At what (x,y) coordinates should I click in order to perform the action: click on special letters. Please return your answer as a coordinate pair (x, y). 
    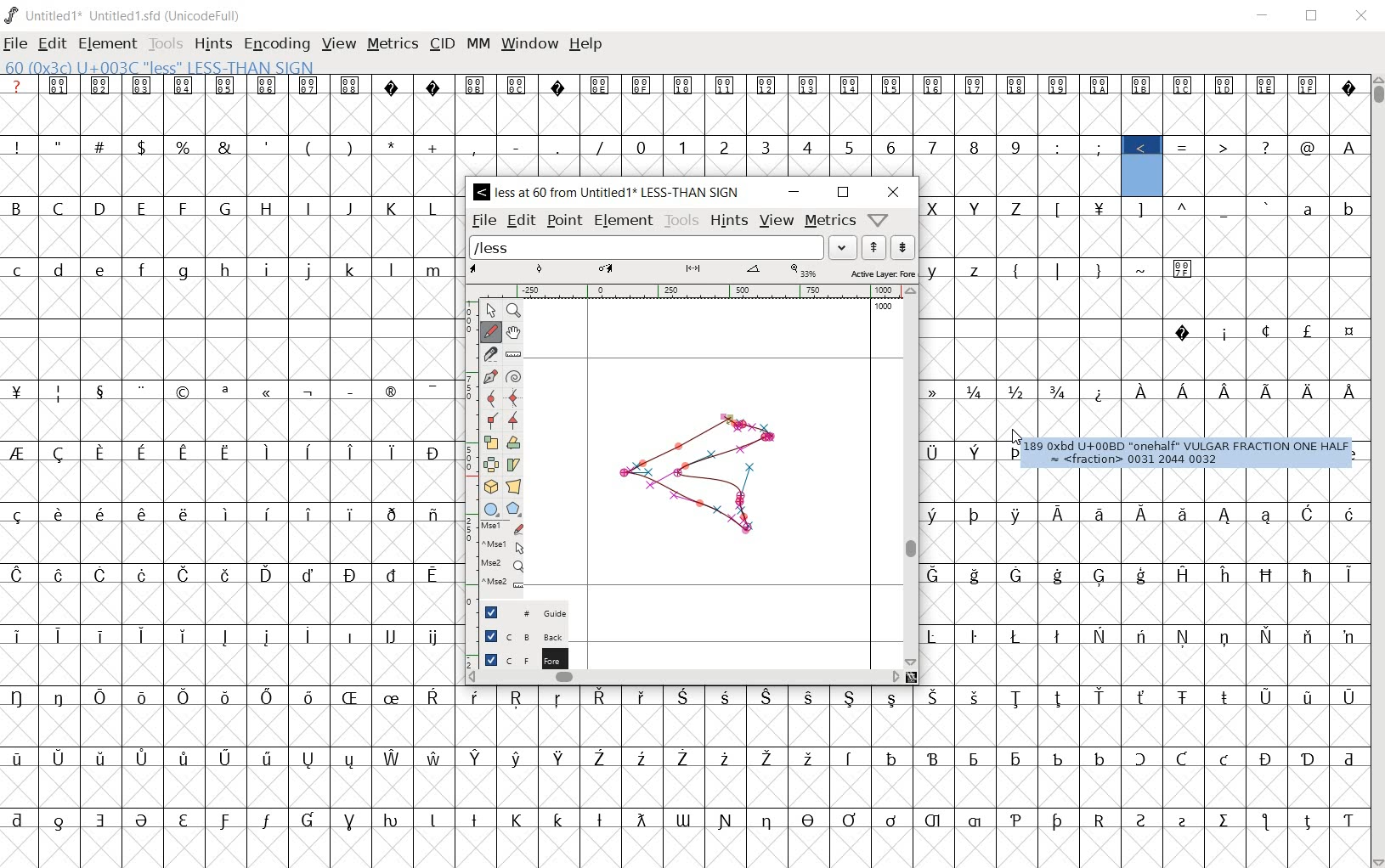
    Looking at the image, I should click on (1145, 574).